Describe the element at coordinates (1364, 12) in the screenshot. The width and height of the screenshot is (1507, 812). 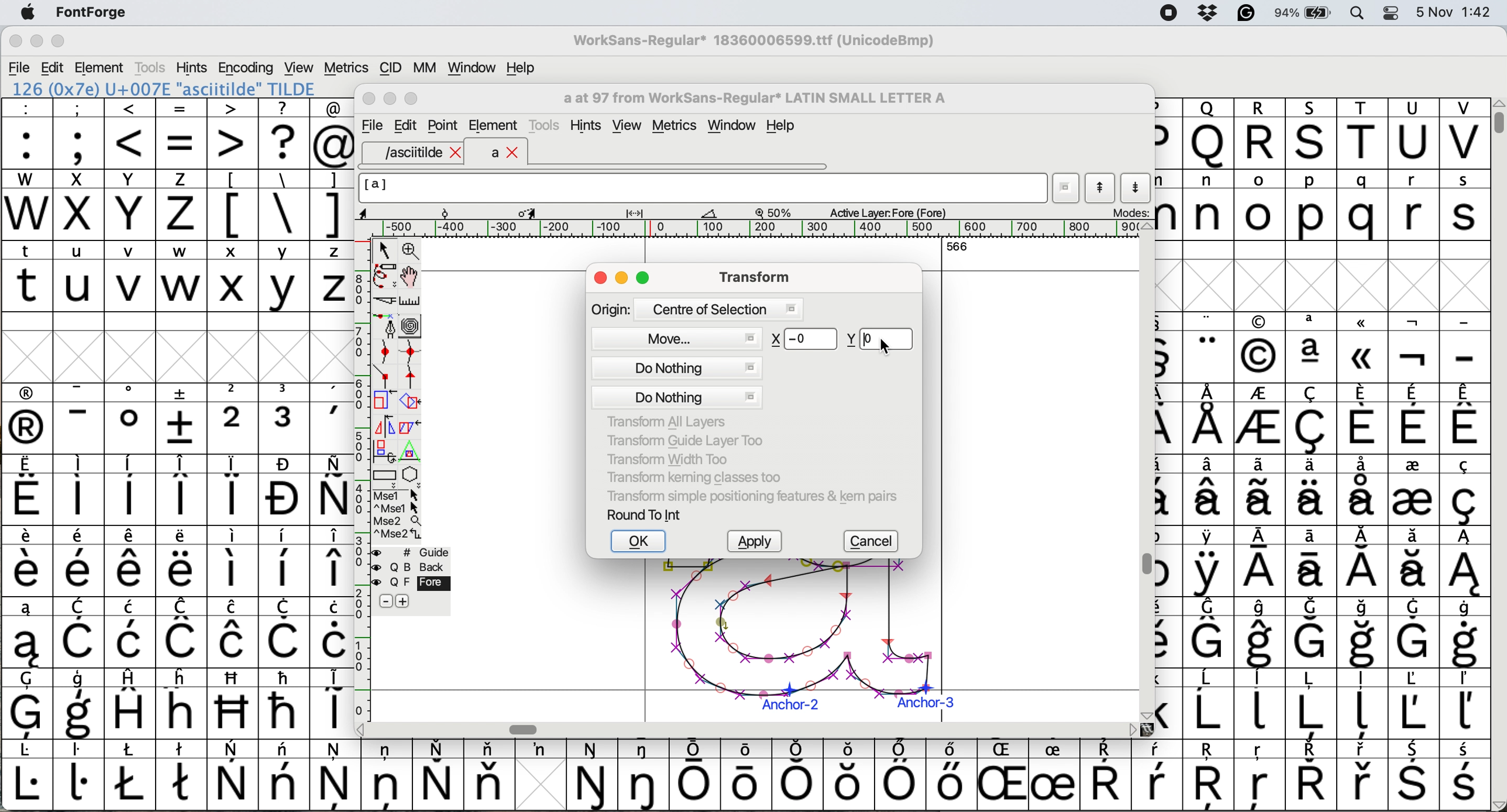
I see `spotlight search` at that location.